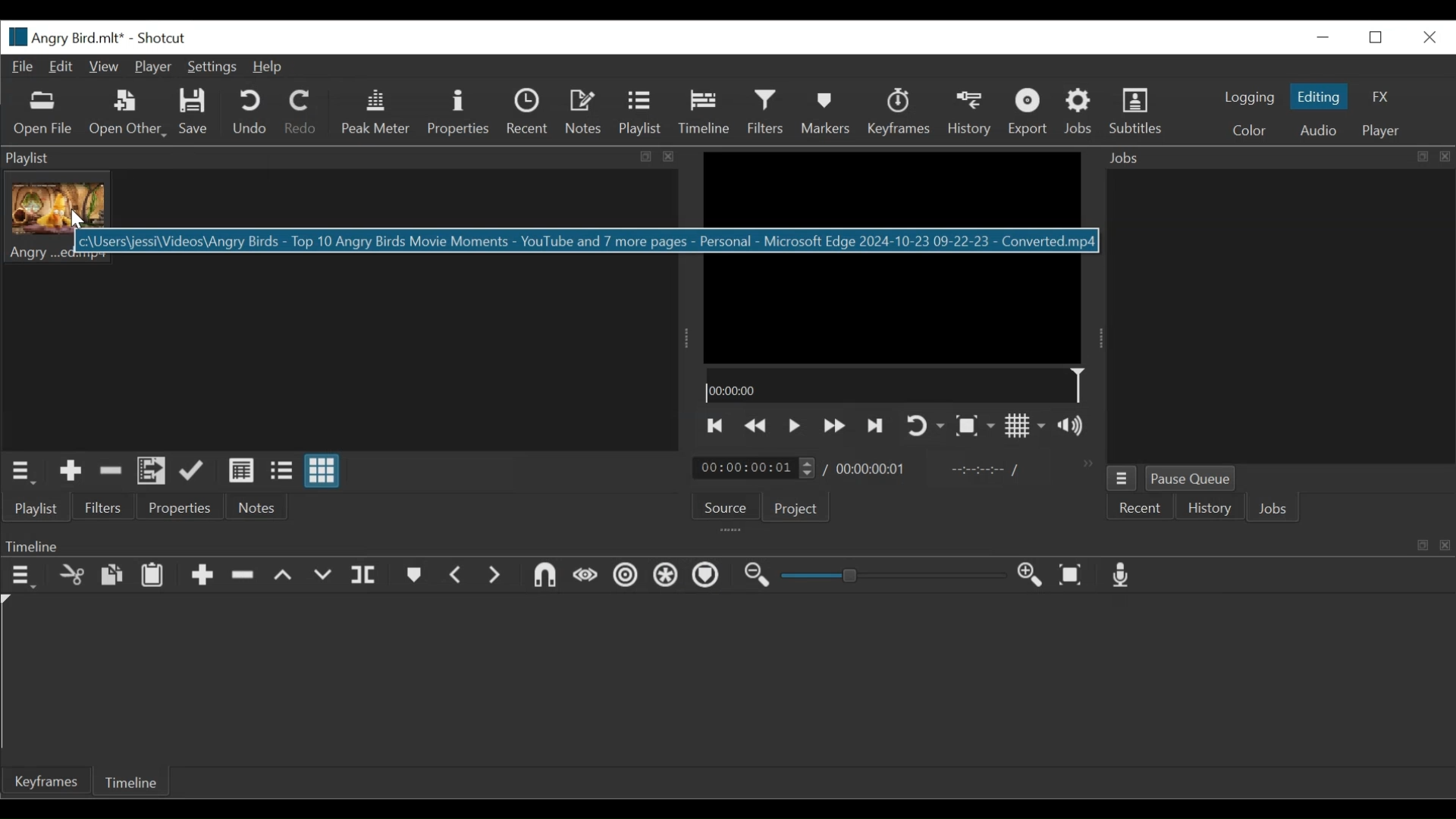 The image size is (1456, 819). I want to click on Pause Queue, so click(1193, 479).